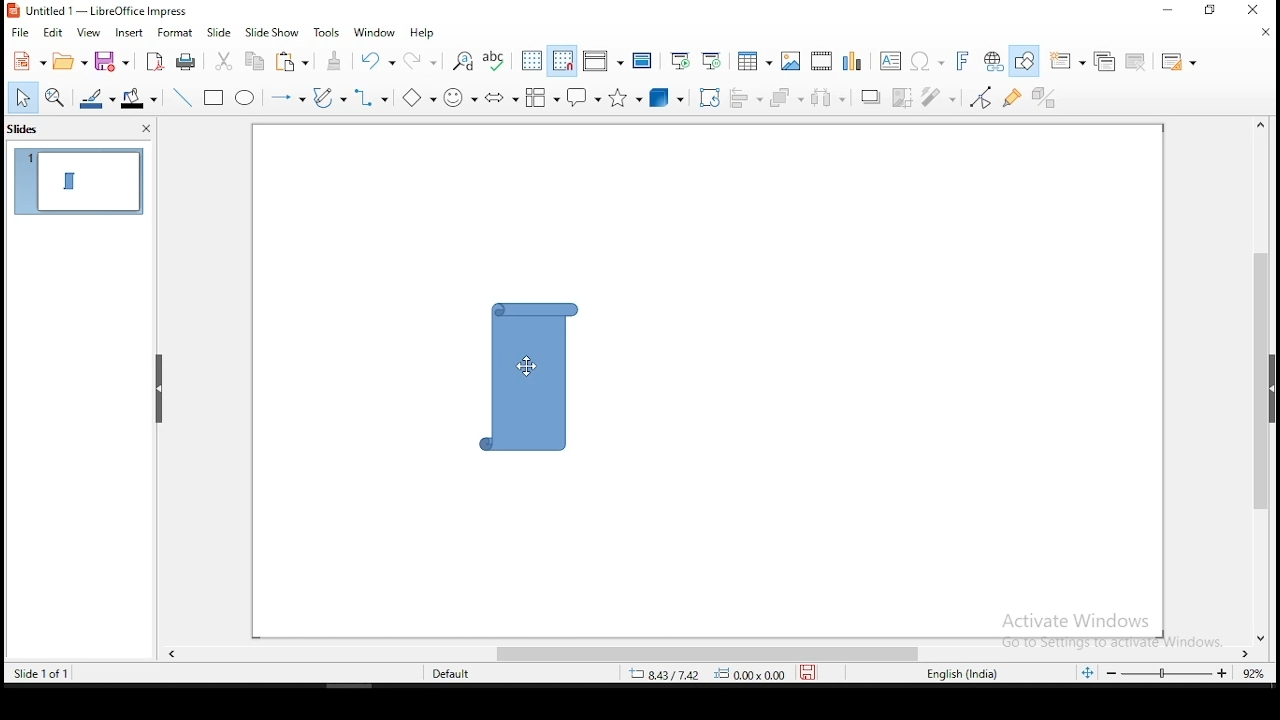 The height and width of the screenshot is (720, 1280). I want to click on file, so click(19, 33).